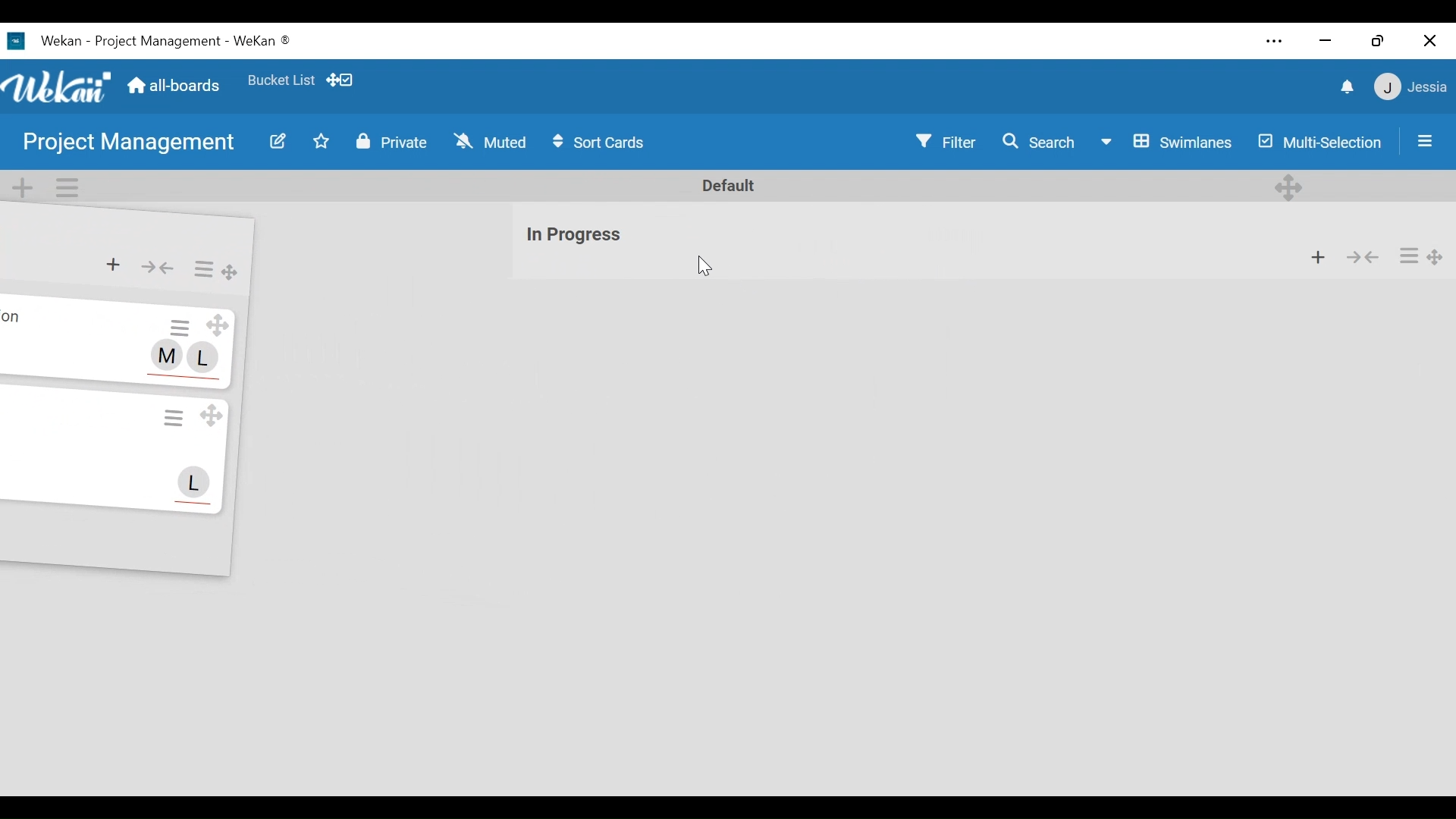  I want to click on Add card to the top of list, so click(113, 264).